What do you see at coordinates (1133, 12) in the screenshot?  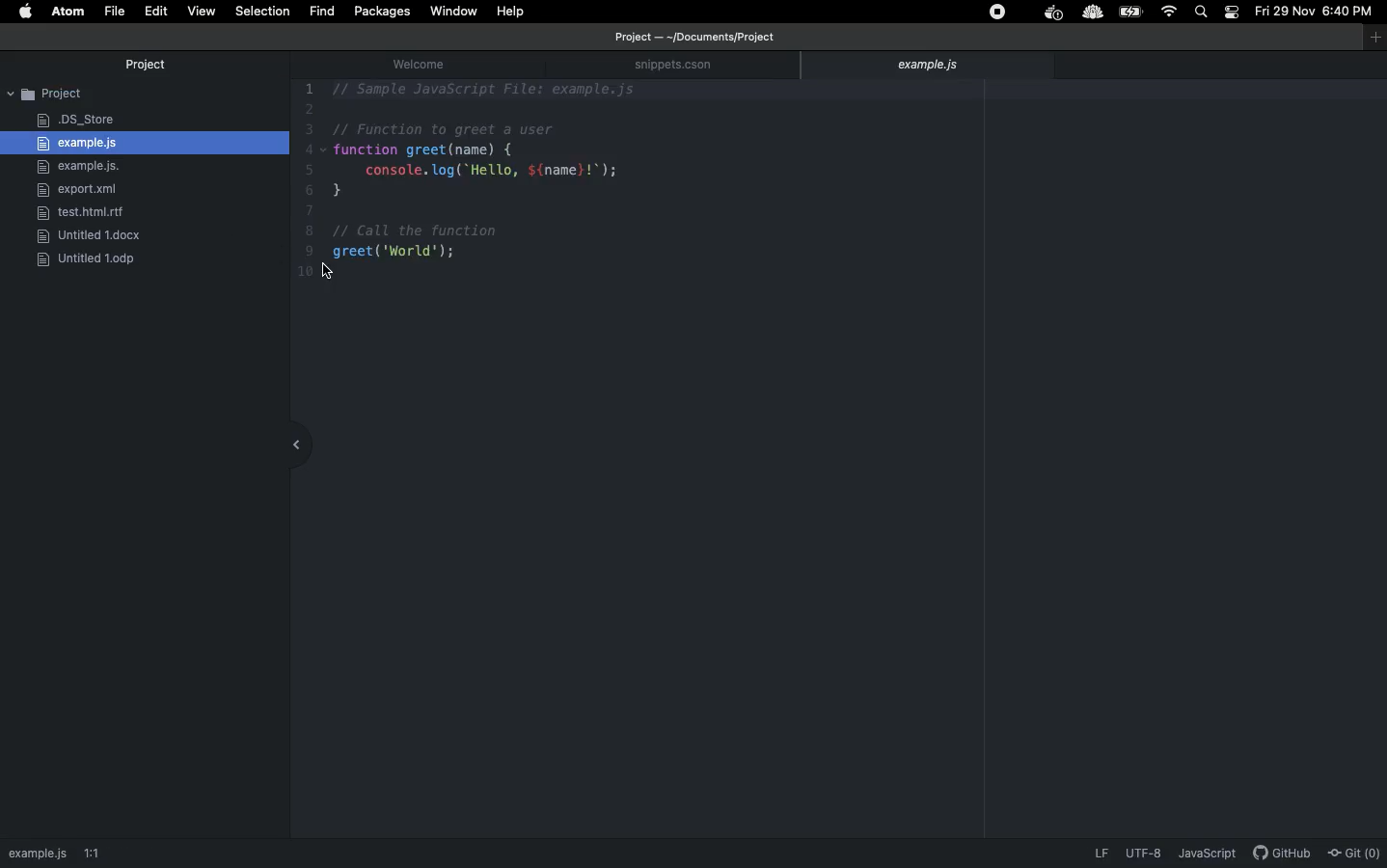 I see `Charge` at bounding box center [1133, 12].